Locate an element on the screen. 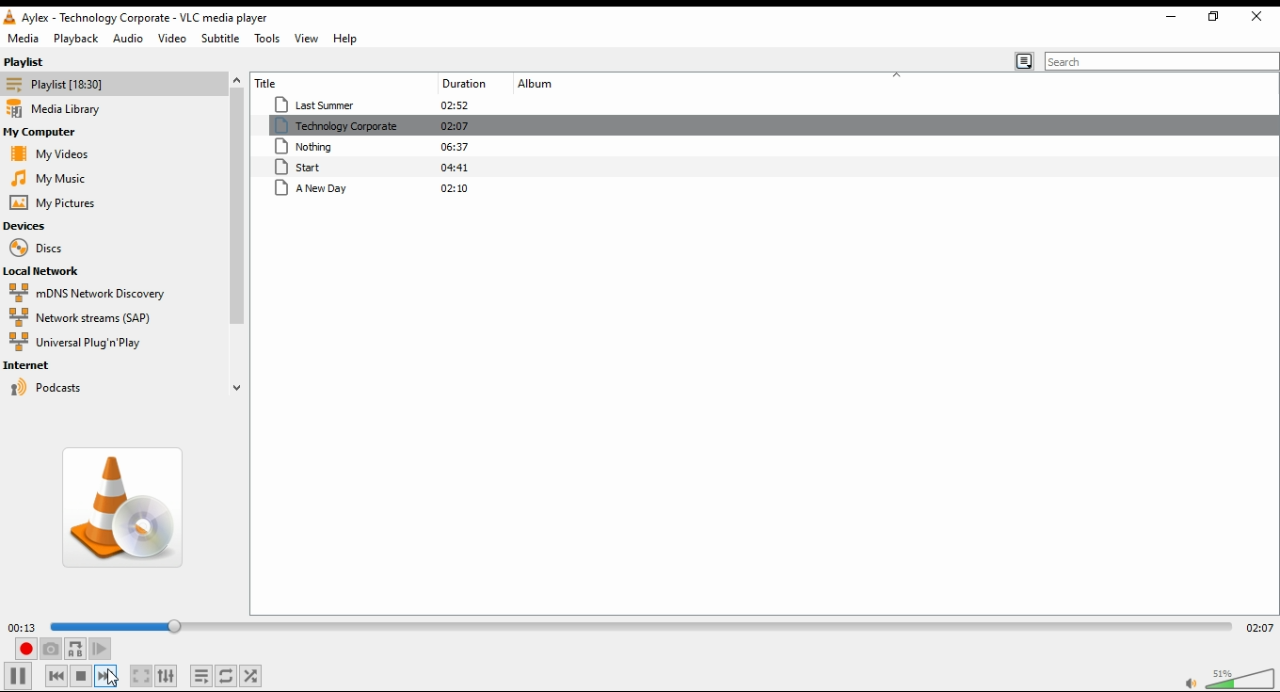 The image size is (1280, 692). search bar is located at coordinates (1160, 61).